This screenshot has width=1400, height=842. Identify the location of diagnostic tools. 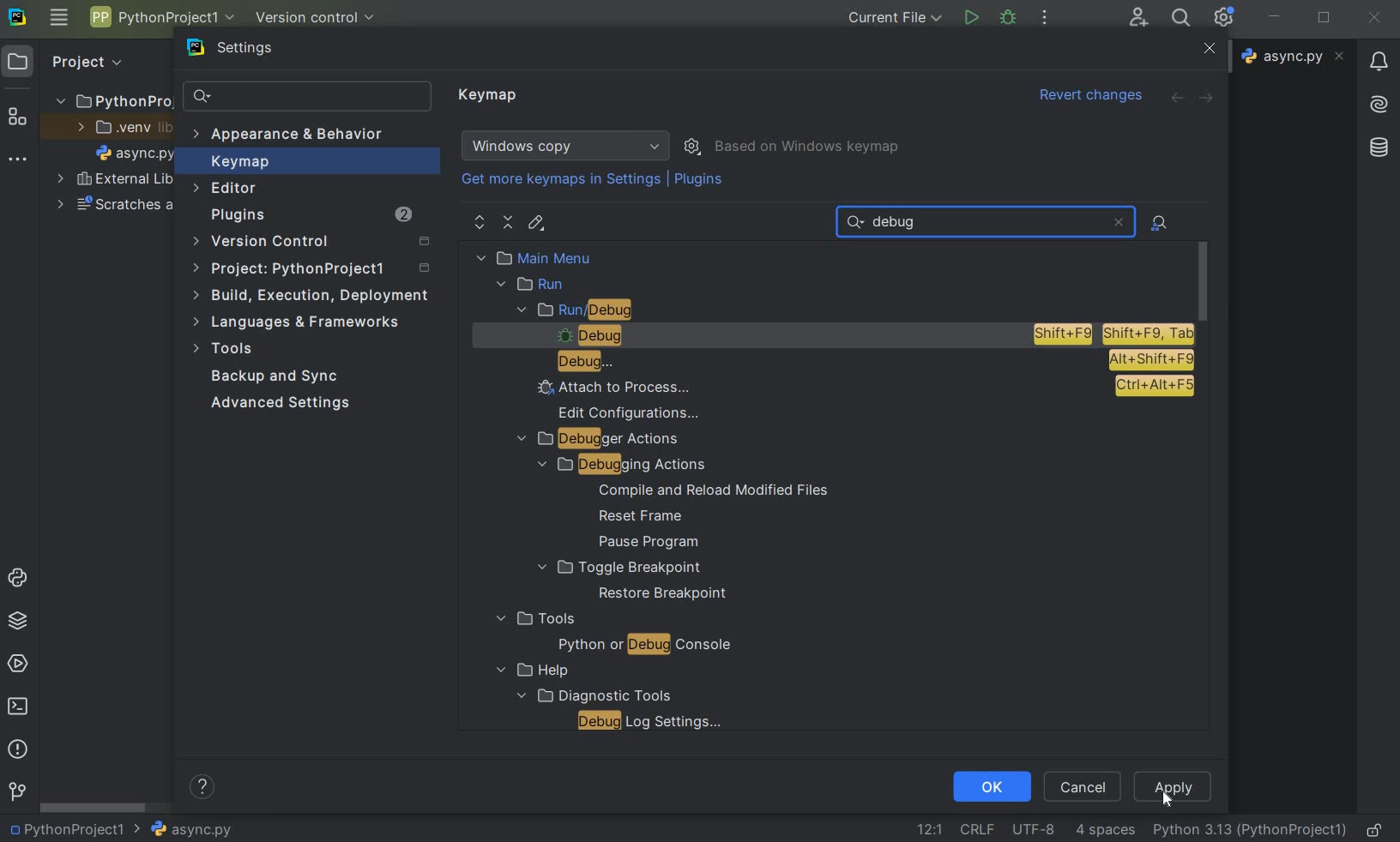
(592, 695).